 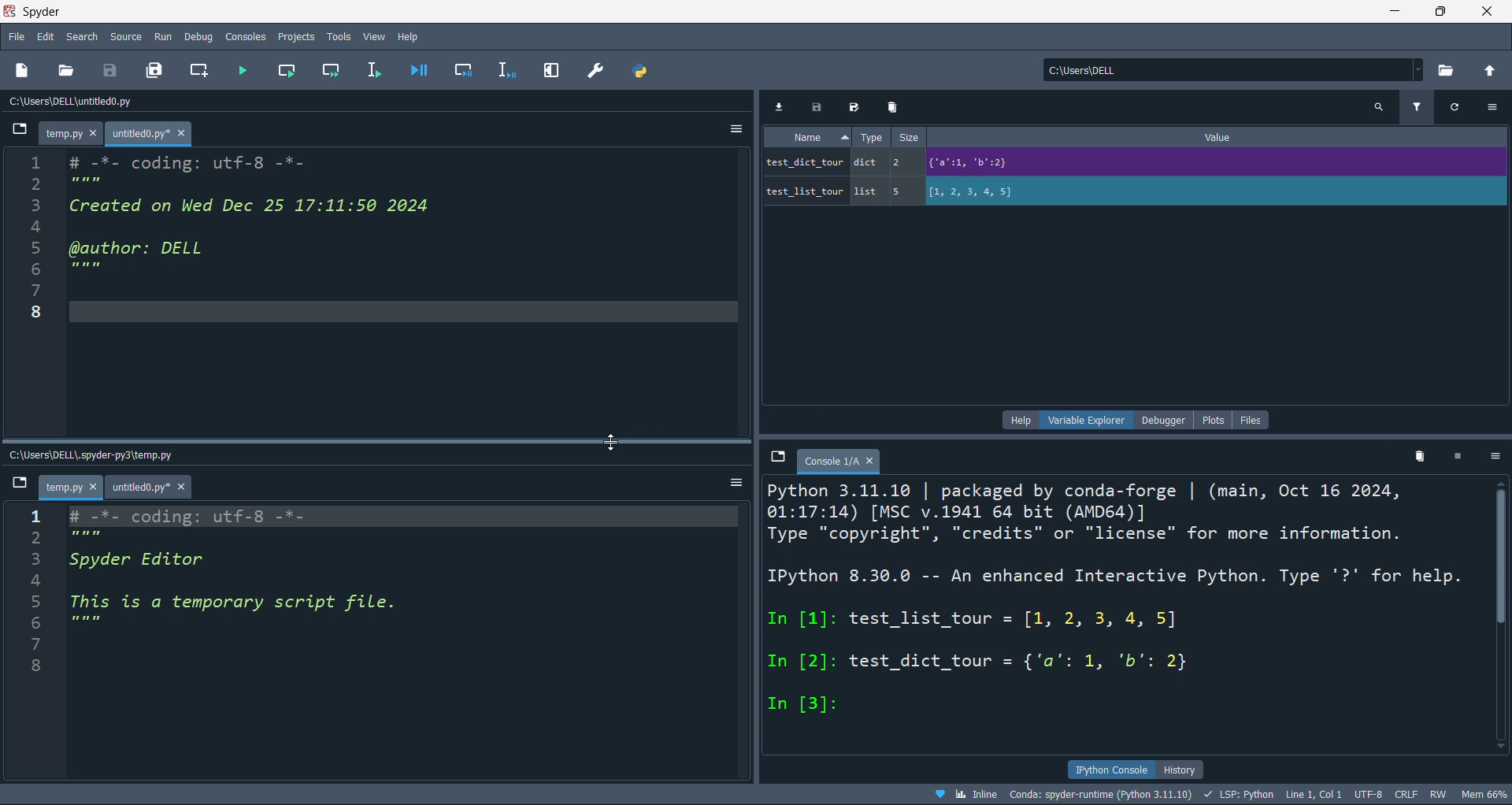 What do you see at coordinates (592, 70) in the screenshot?
I see `preference` at bounding box center [592, 70].